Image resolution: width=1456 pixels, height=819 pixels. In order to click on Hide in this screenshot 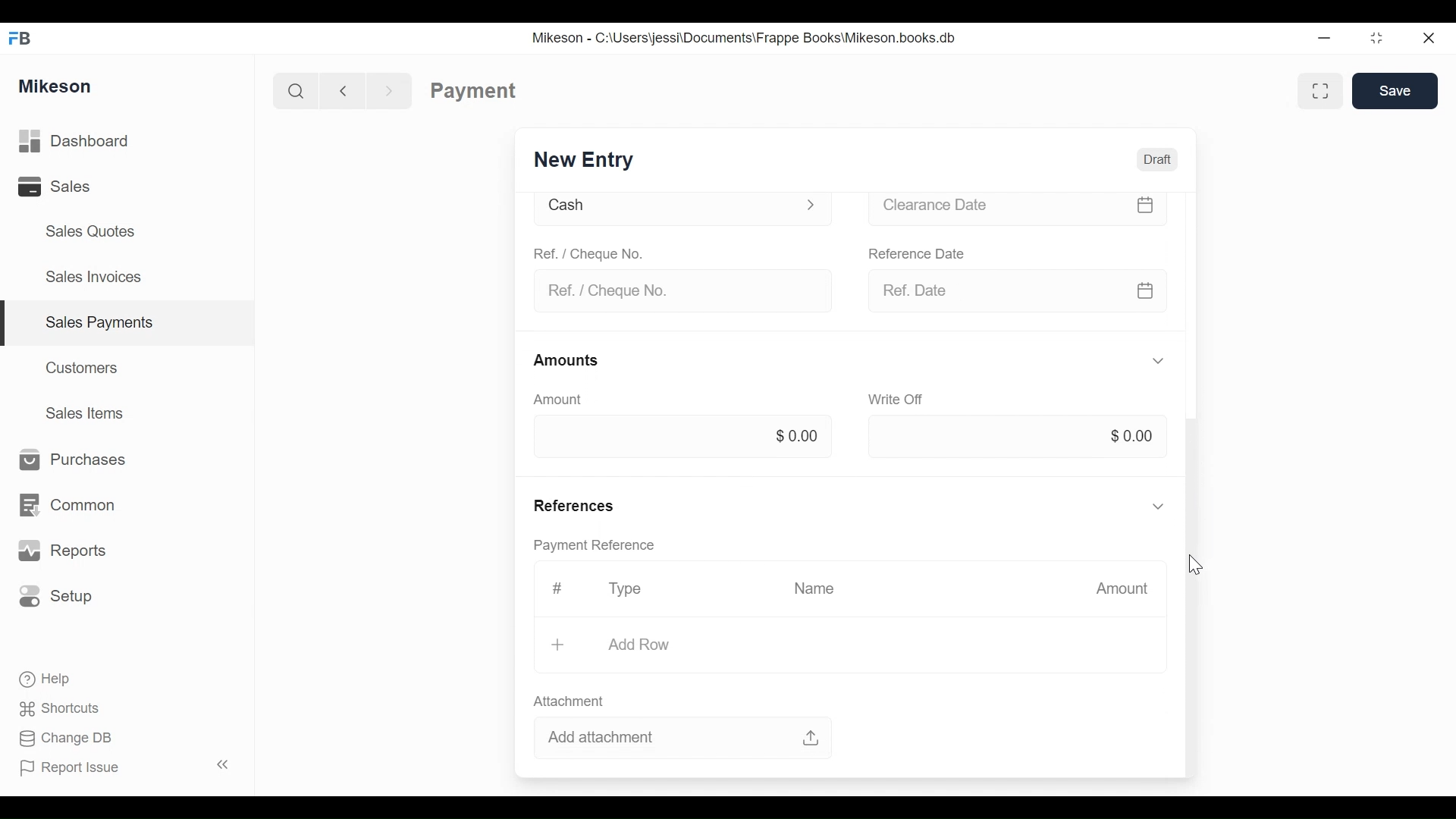, I will do `click(1159, 504)`.